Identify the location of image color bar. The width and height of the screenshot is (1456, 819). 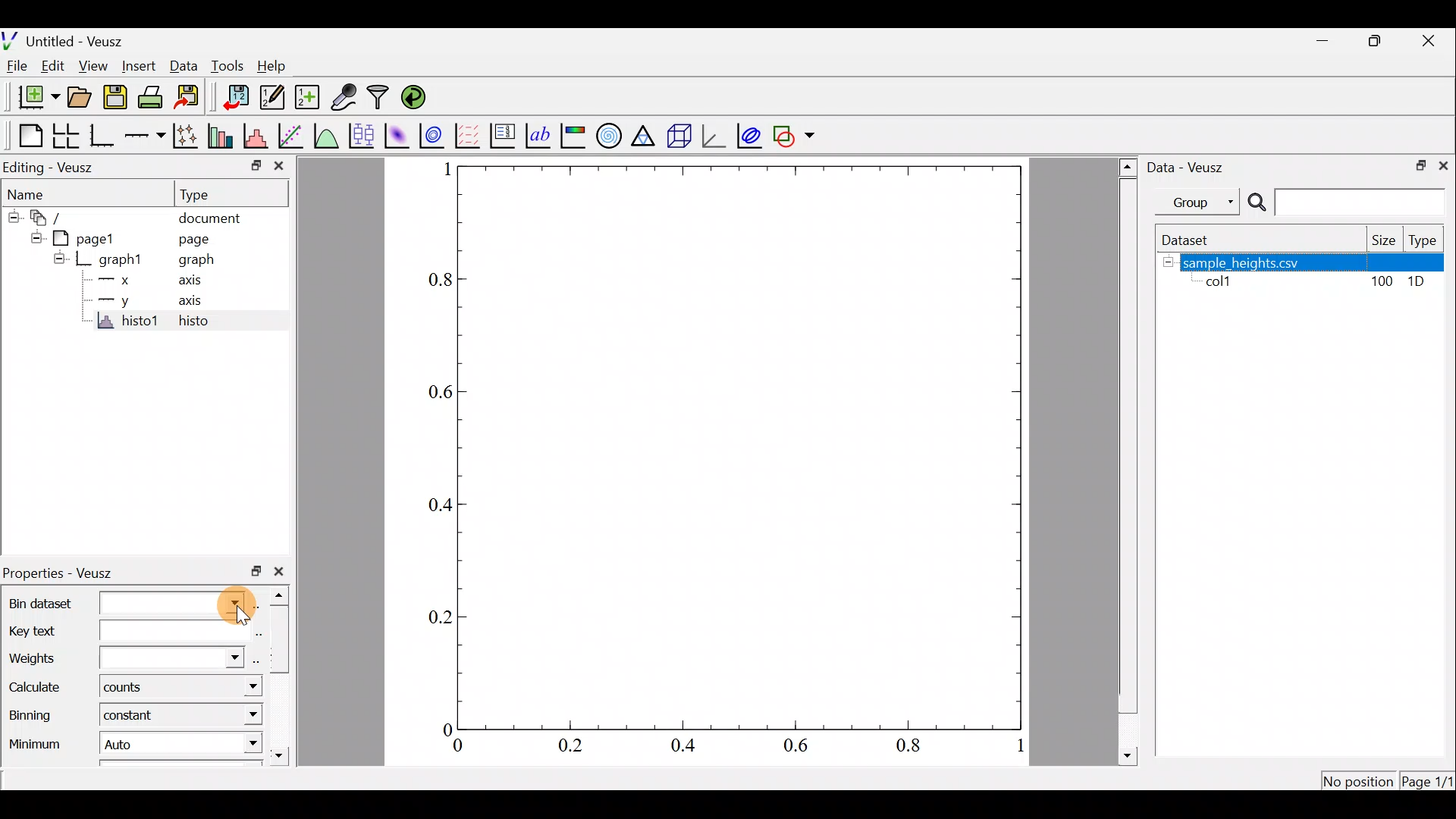
(575, 135).